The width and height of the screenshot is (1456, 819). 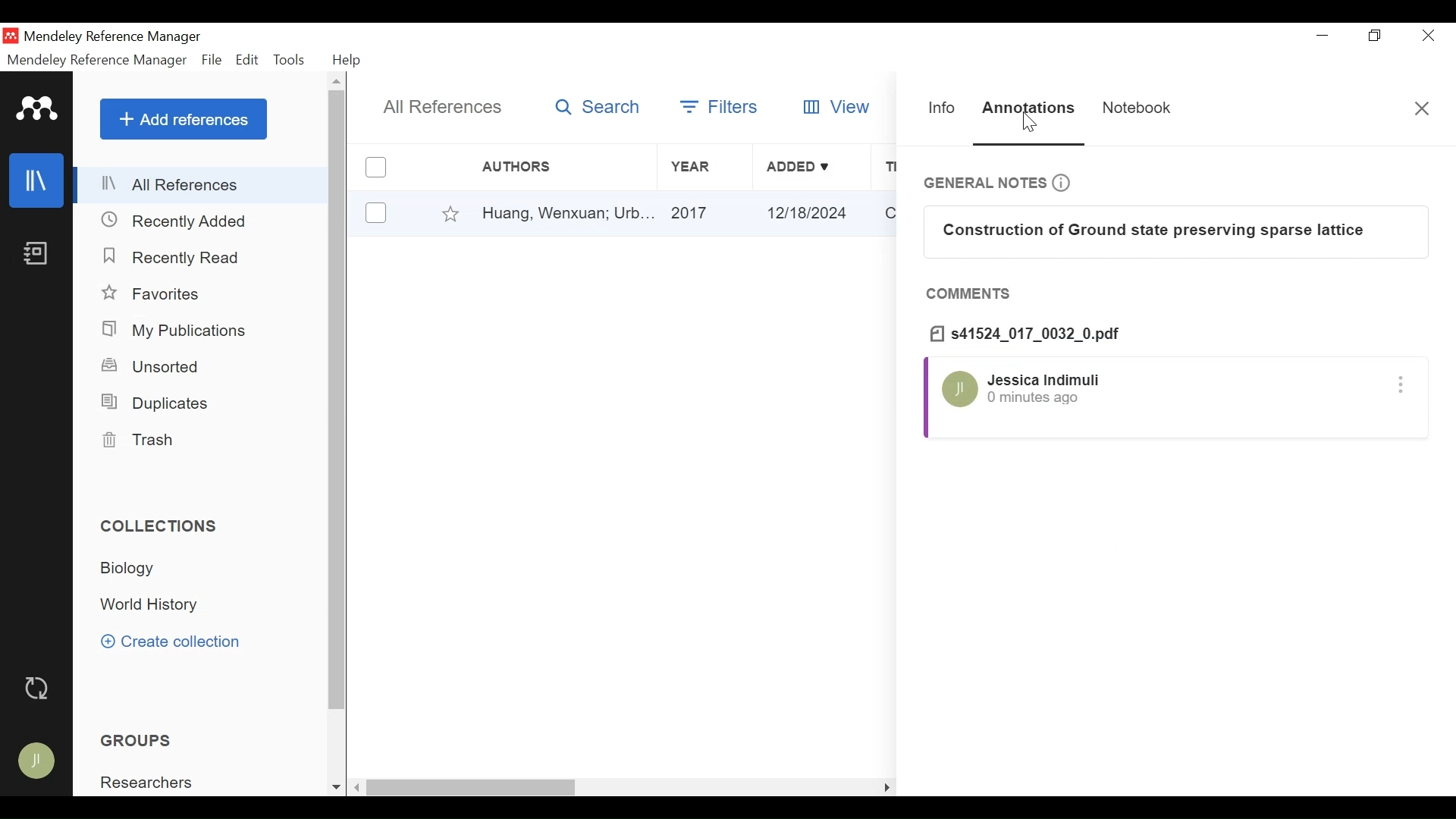 I want to click on biology, so click(x=133, y=569).